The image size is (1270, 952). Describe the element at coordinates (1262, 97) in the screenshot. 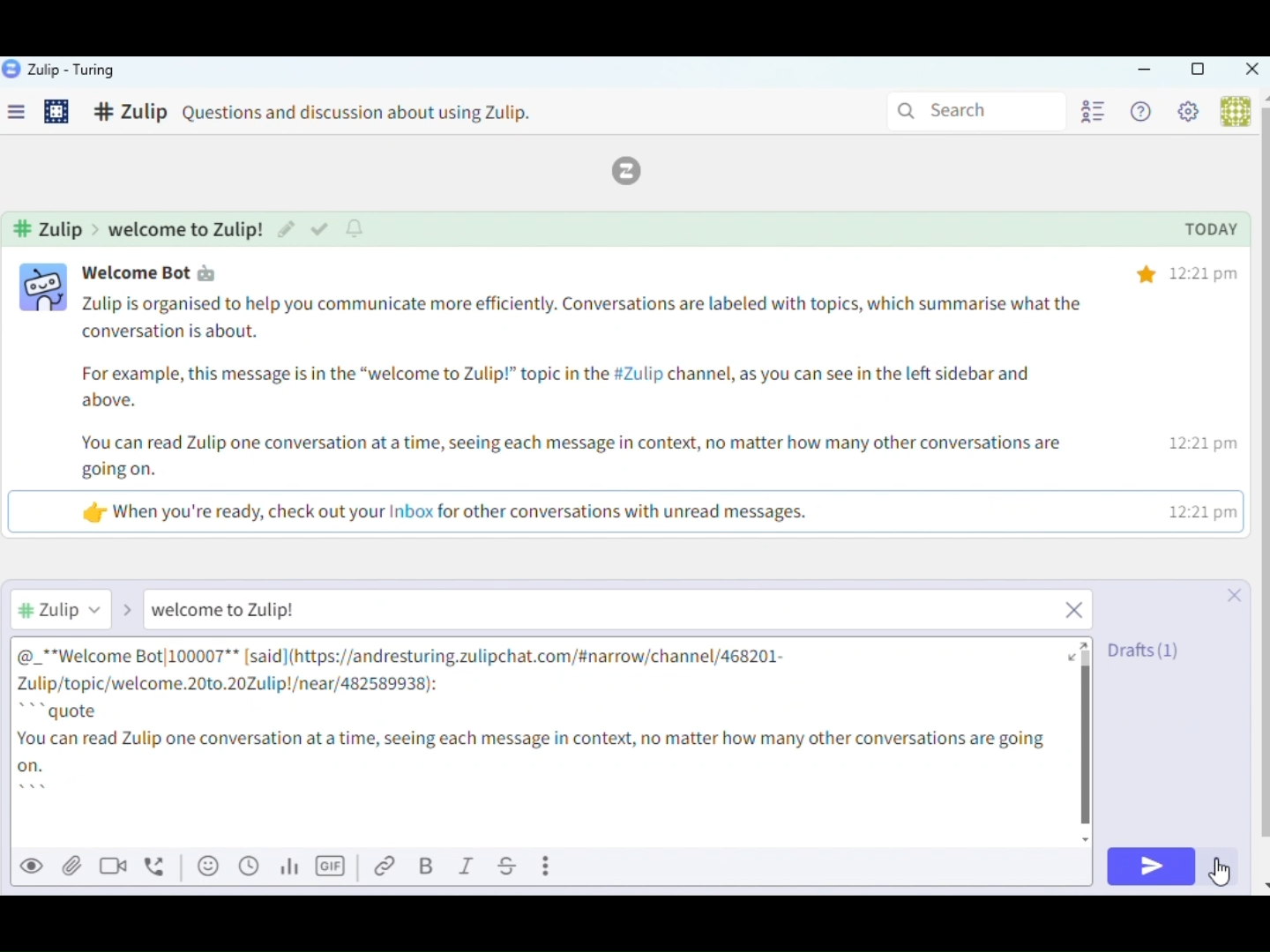

I see `Up` at that location.